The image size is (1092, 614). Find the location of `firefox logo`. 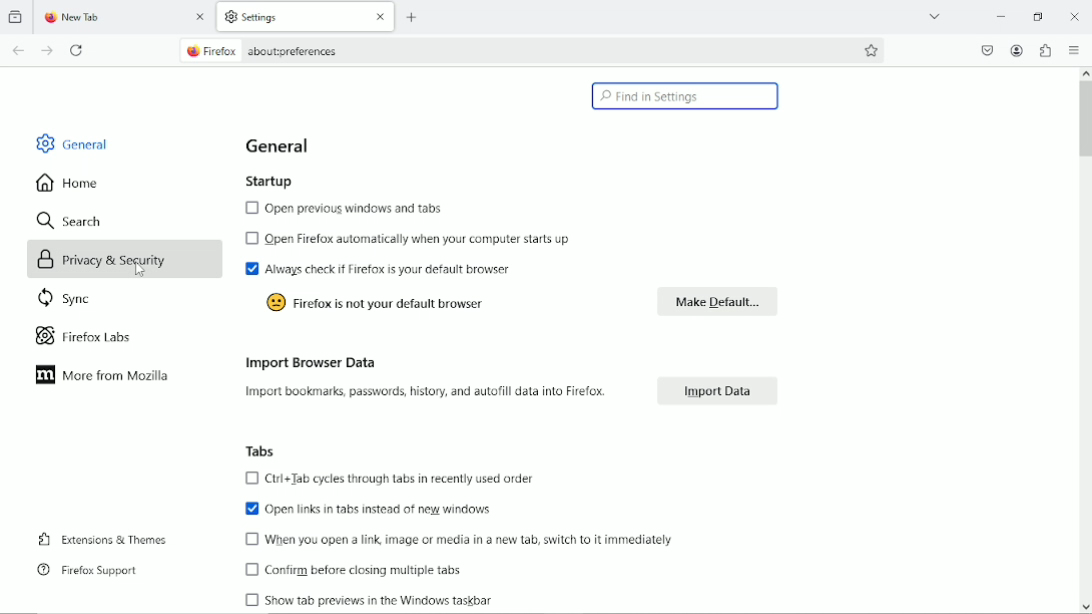

firefox logo is located at coordinates (48, 19).